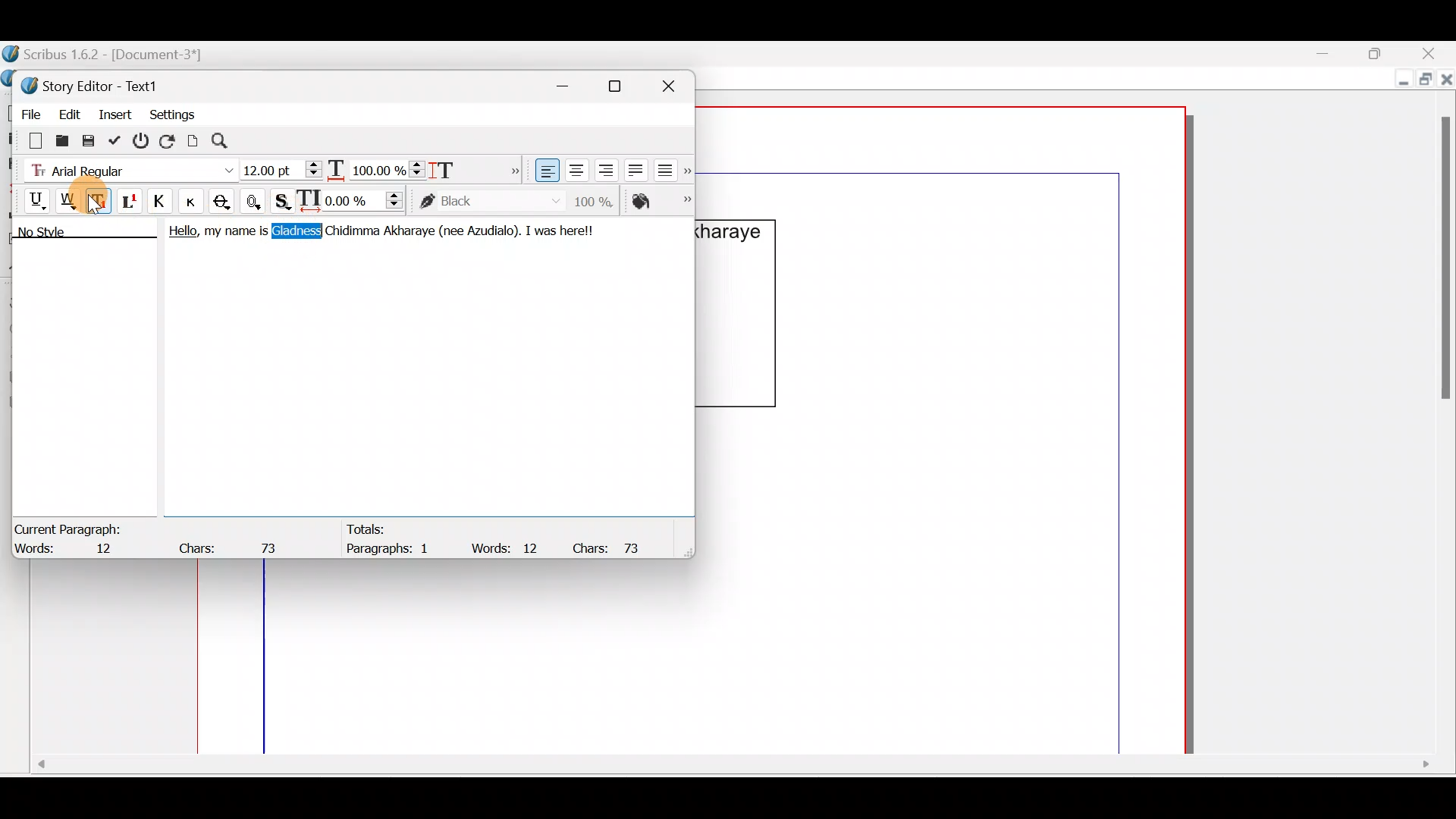 This screenshot has width=1456, height=819. Describe the element at coordinates (575, 168) in the screenshot. I see `Align text center` at that location.